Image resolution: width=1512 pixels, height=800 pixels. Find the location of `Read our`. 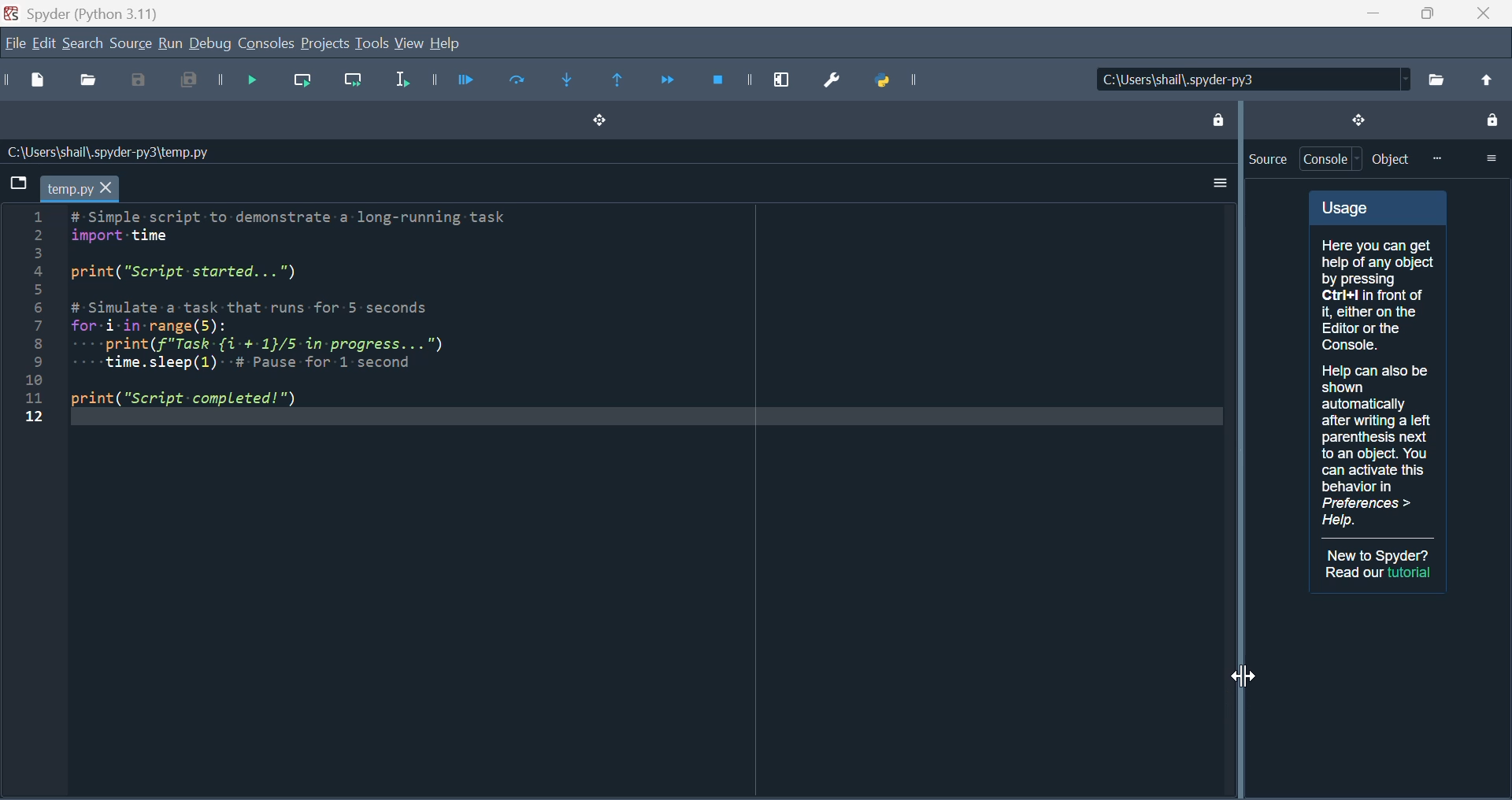

Read our is located at coordinates (1354, 572).